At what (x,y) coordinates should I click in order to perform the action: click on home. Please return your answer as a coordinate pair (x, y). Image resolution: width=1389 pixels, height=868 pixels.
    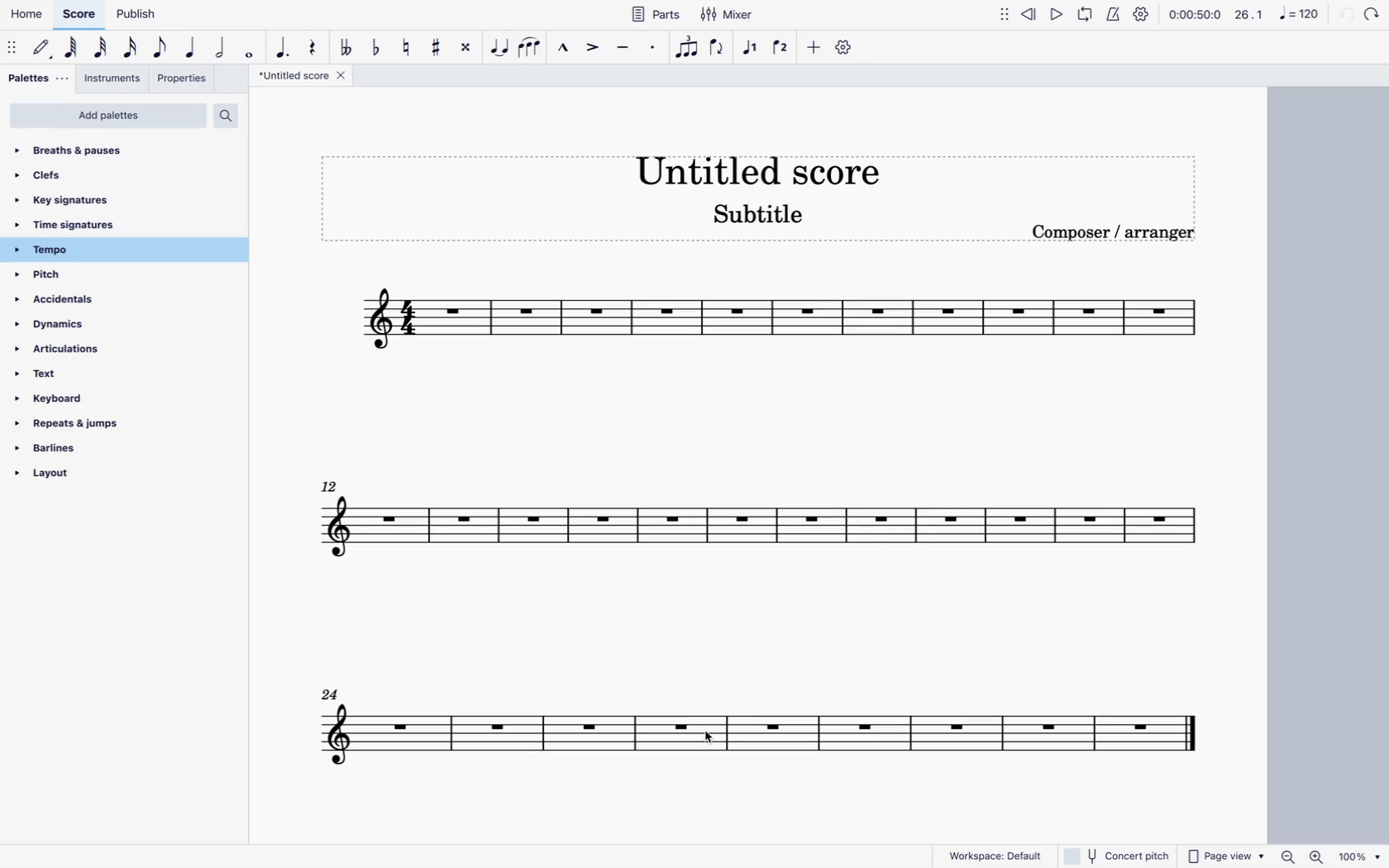
    Looking at the image, I should click on (29, 13).